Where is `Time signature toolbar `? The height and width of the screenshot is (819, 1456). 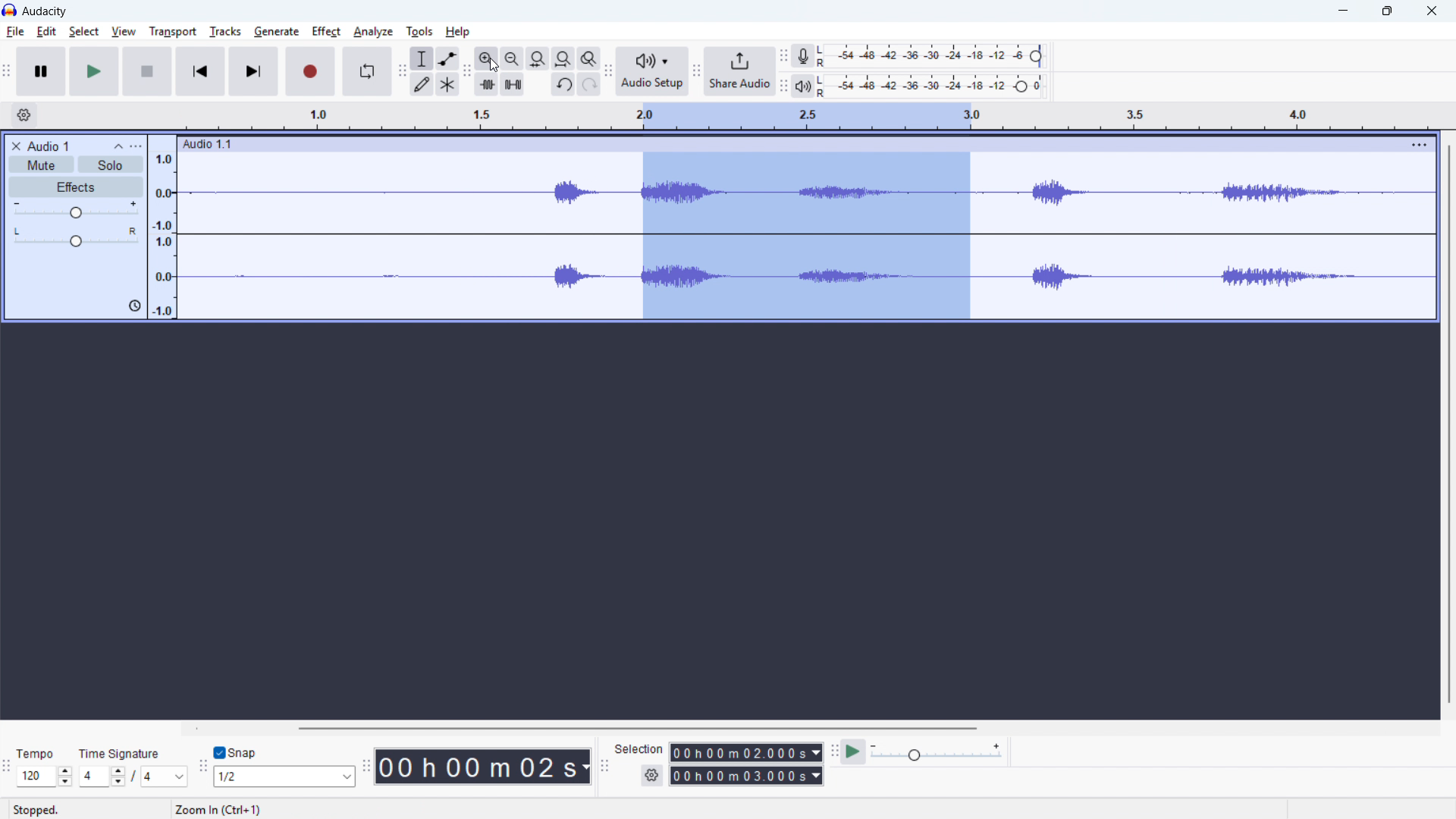
Time signature toolbar  is located at coordinates (8, 766).